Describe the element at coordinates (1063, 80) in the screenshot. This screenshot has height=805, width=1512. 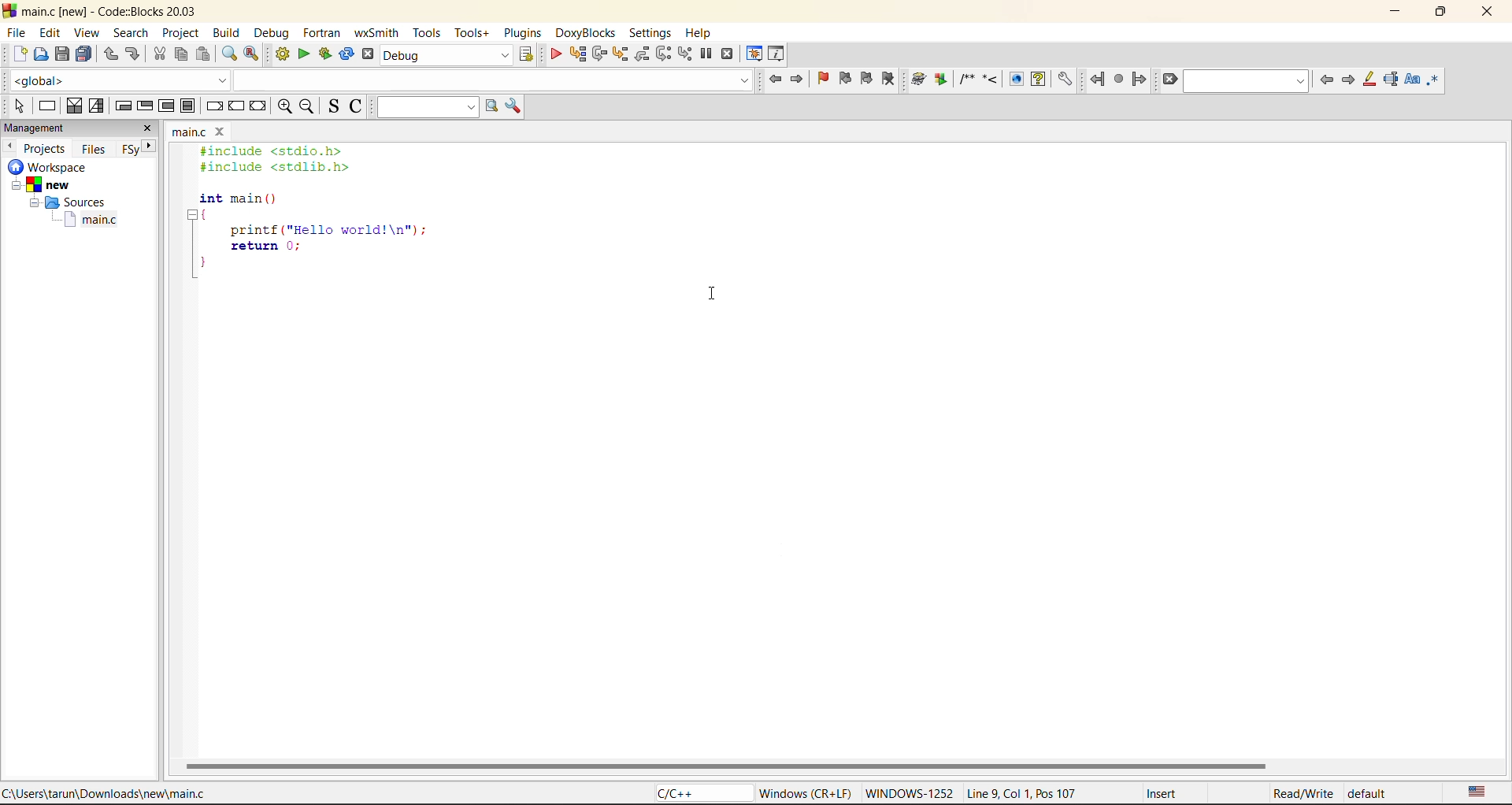
I see `Open DoxyBlocks' preferences` at that location.